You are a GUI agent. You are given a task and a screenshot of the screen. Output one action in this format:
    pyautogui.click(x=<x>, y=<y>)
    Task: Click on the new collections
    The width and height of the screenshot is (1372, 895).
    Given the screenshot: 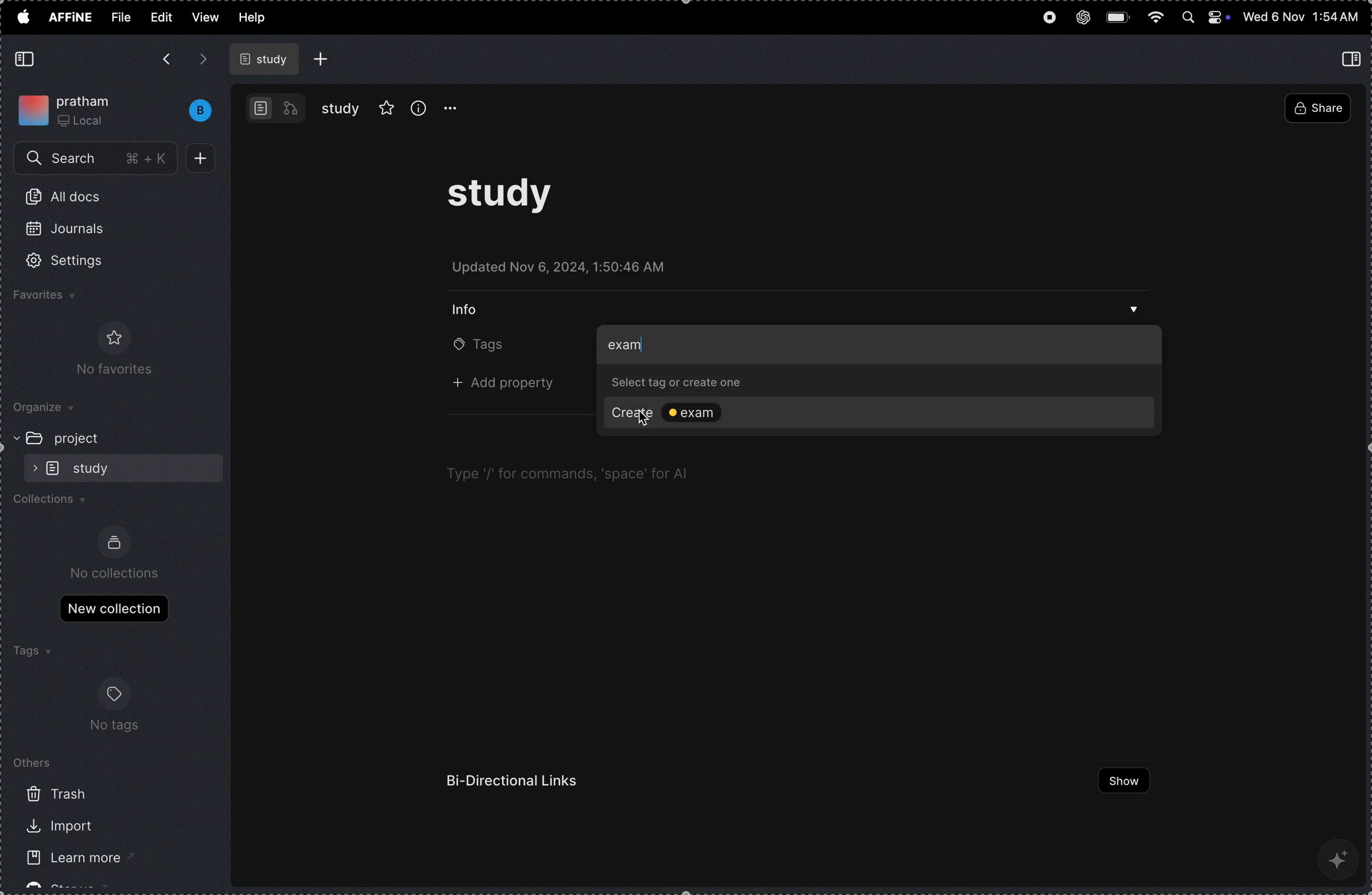 What is the action you would take?
    pyautogui.click(x=114, y=607)
    